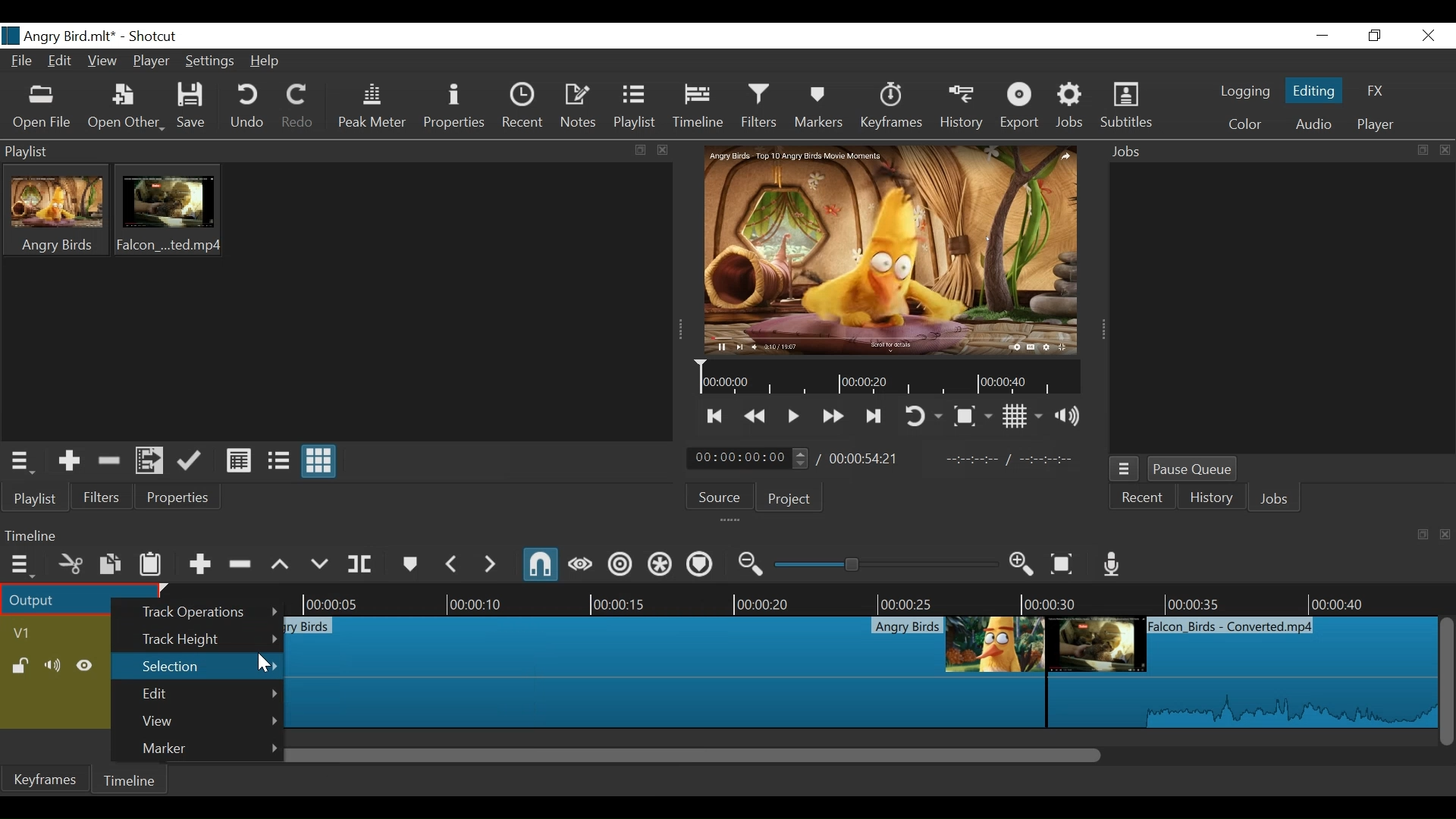 The width and height of the screenshot is (1456, 819). What do you see at coordinates (67, 461) in the screenshot?
I see `Add the Source to the playlist` at bounding box center [67, 461].